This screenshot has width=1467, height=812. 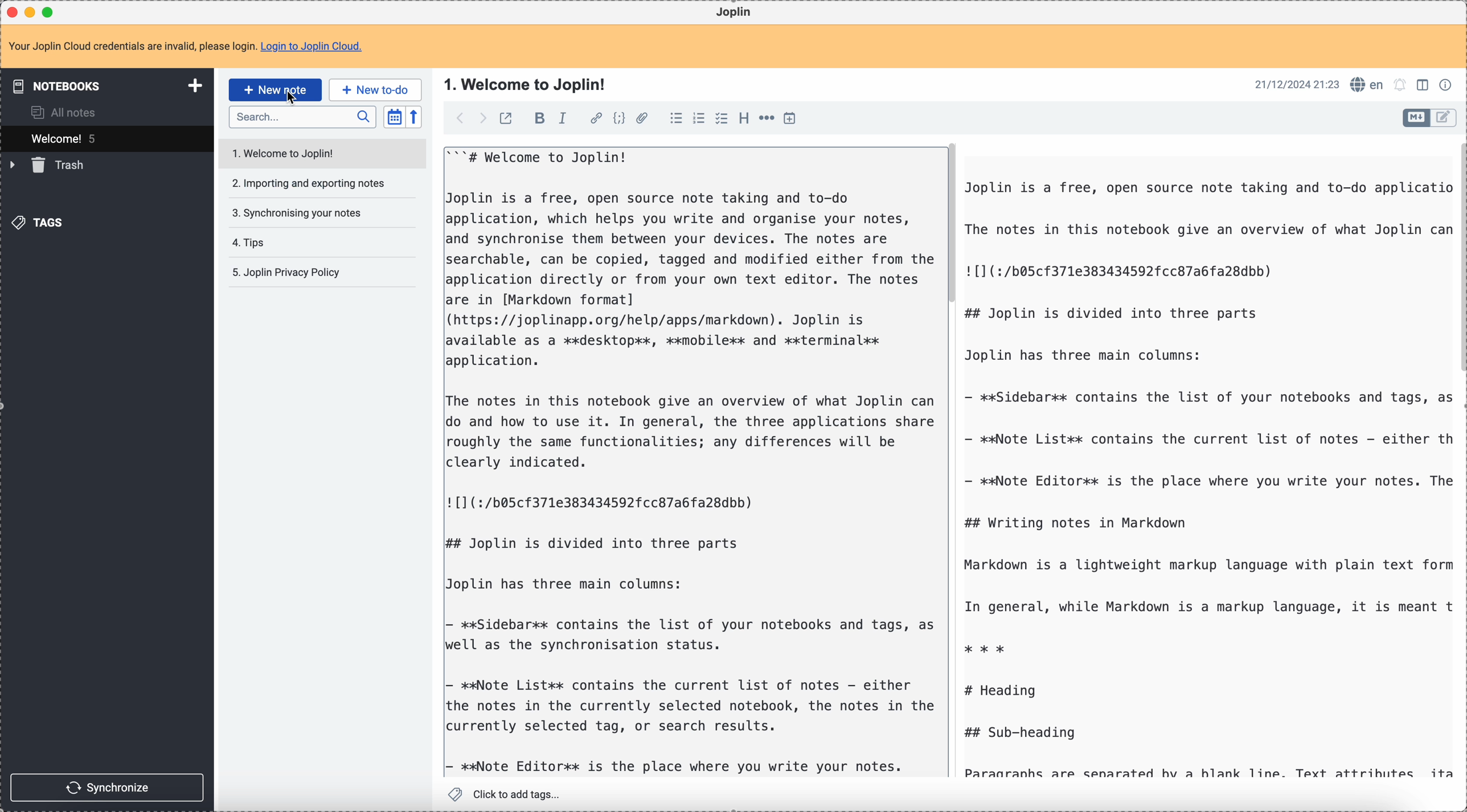 What do you see at coordinates (1458, 258) in the screenshot?
I see `scroll bar` at bounding box center [1458, 258].